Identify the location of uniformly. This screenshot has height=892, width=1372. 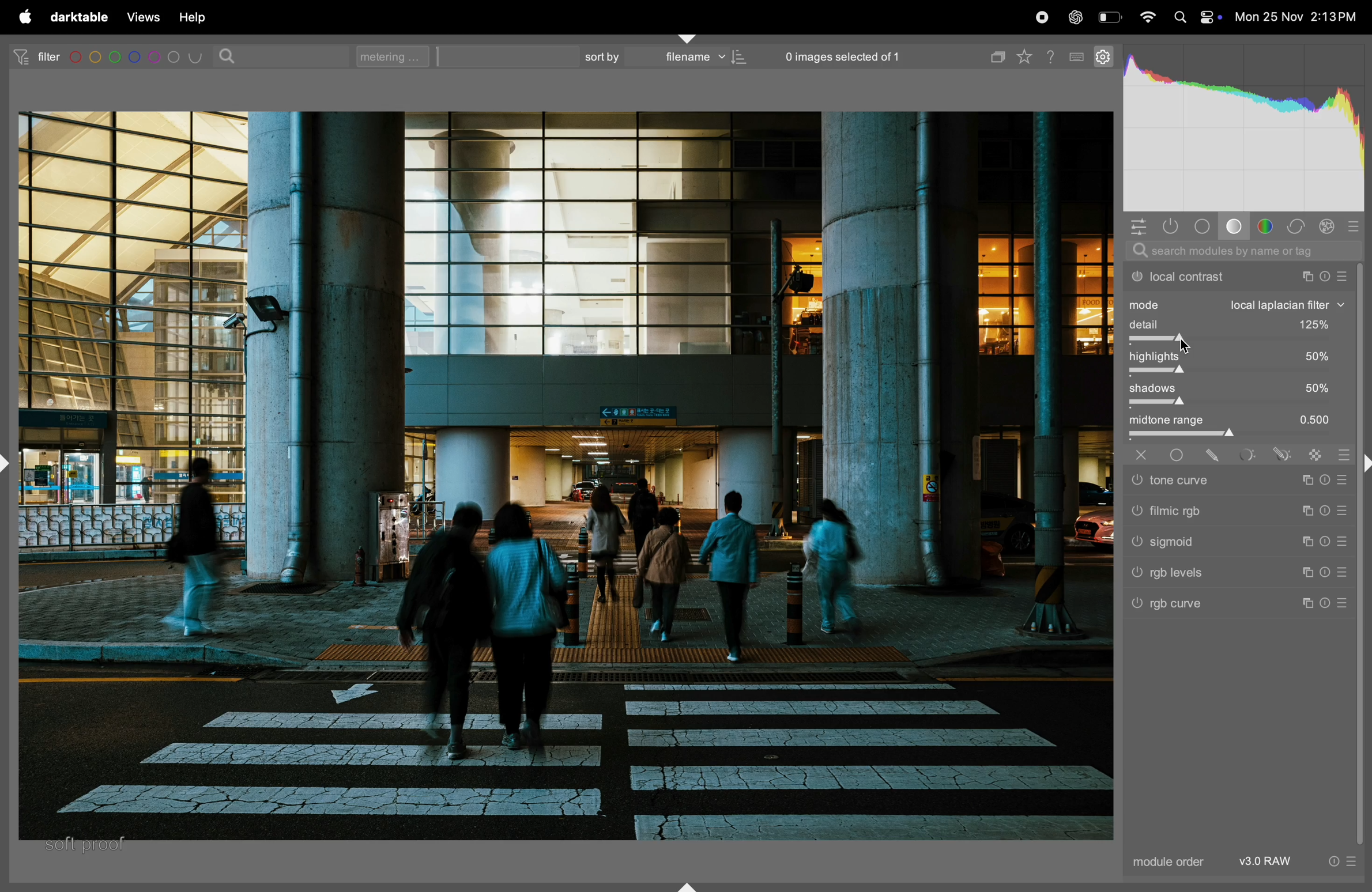
(1178, 456).